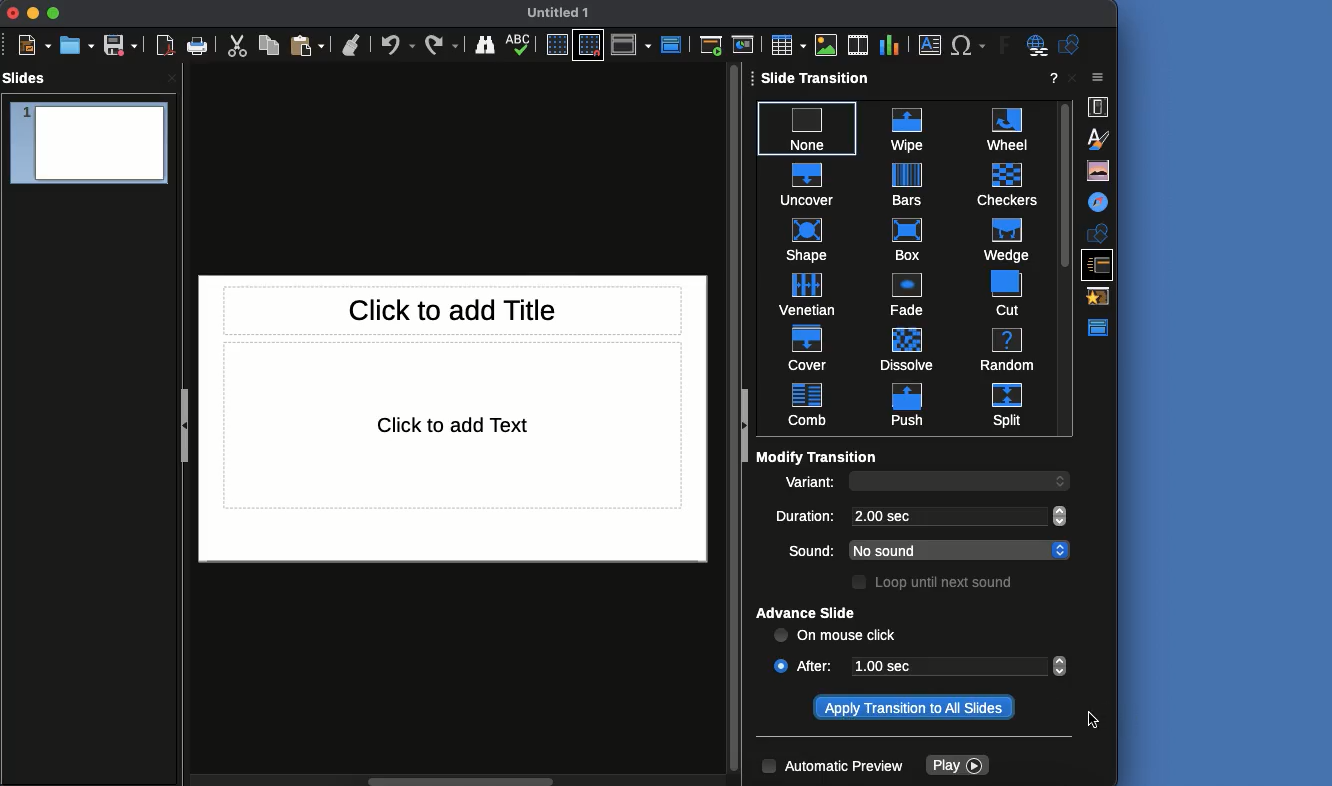 The image size is (1332, 786). Describe the element at coordinates (914, 708) in the screenshot. I see `Clicked` at that location.